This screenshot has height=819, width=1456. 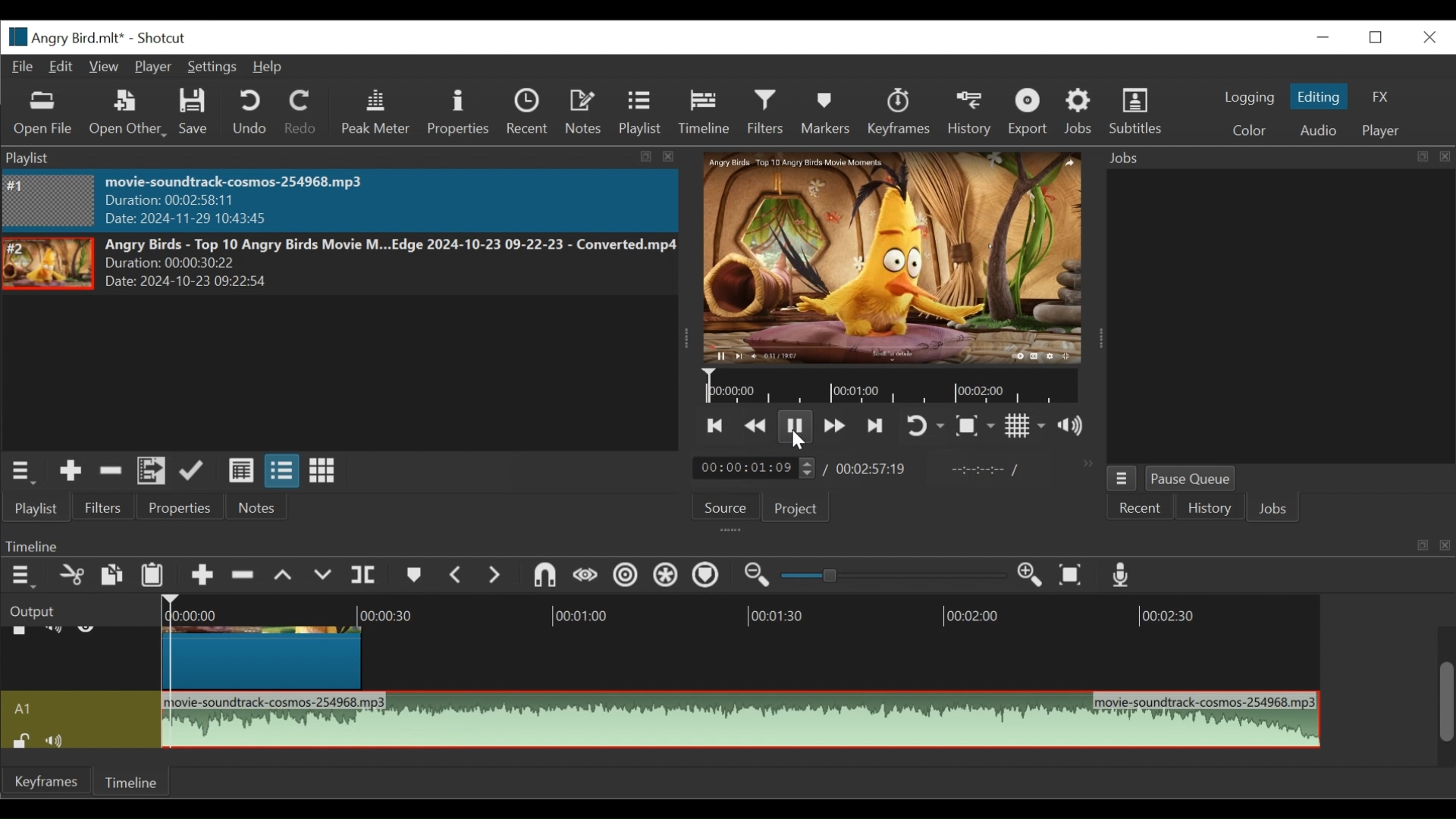 What do you see at coordinates (281, 472) in the screenshot?
I see `View as files` at bounding box center [281, 472].